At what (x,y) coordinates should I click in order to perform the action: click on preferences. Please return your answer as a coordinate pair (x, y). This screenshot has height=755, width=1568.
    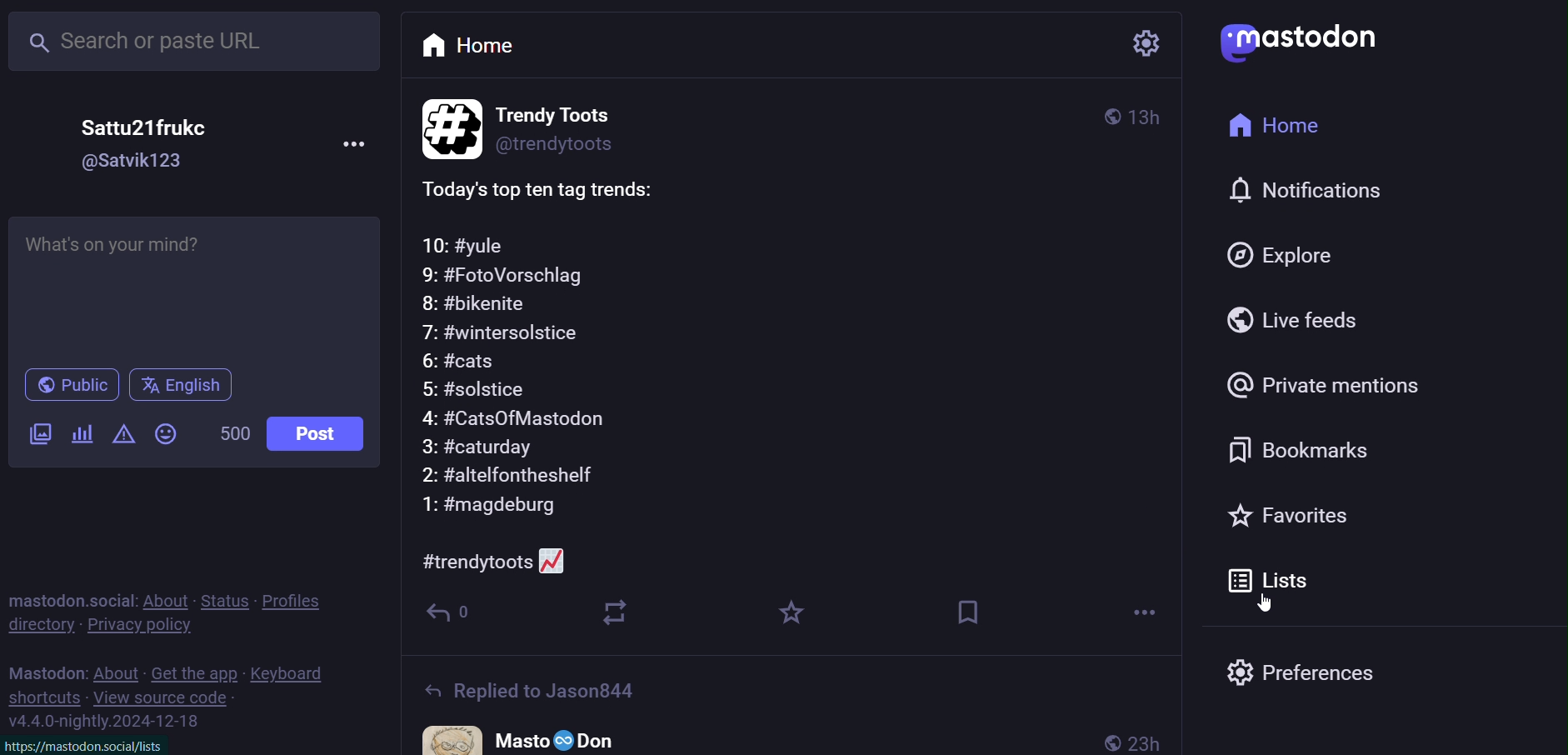
    Looking at the image, I should click on (1301, 667).